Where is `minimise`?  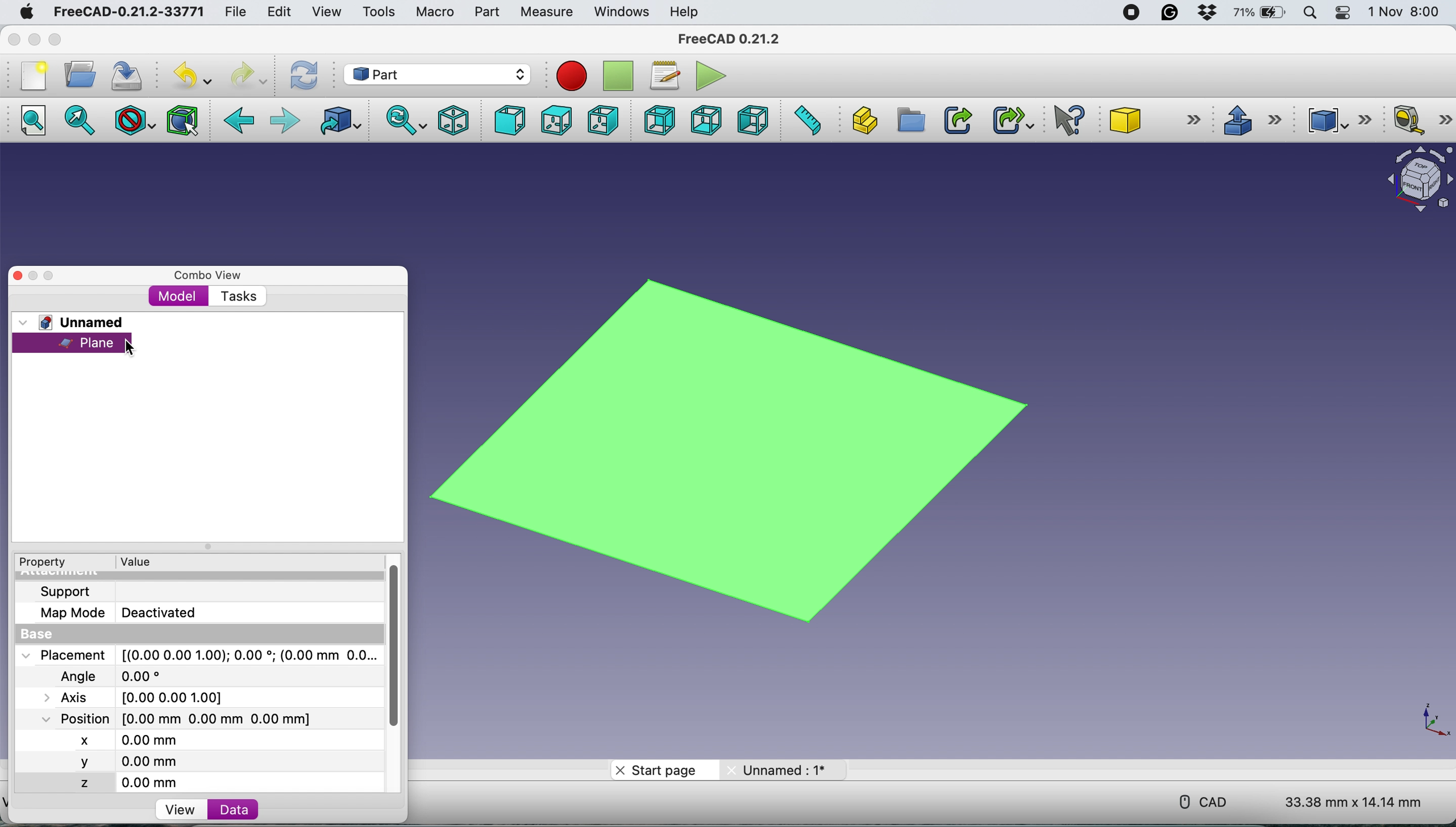 minimise is located at coordinates (34, 39).